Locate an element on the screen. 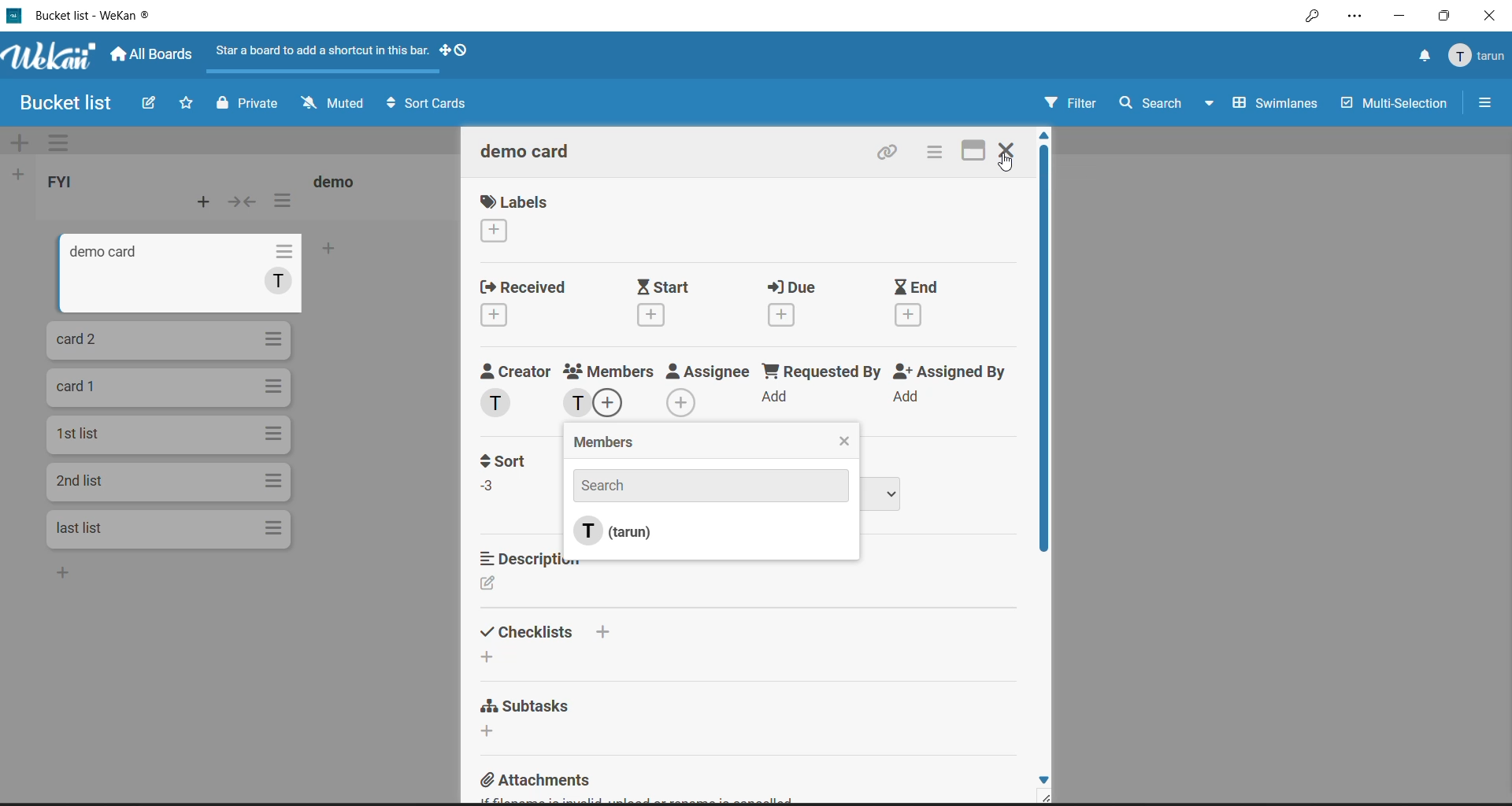 The height and width of the screenshot is (806, 1512). card bottom of the list is located at coordinates (365, 252).